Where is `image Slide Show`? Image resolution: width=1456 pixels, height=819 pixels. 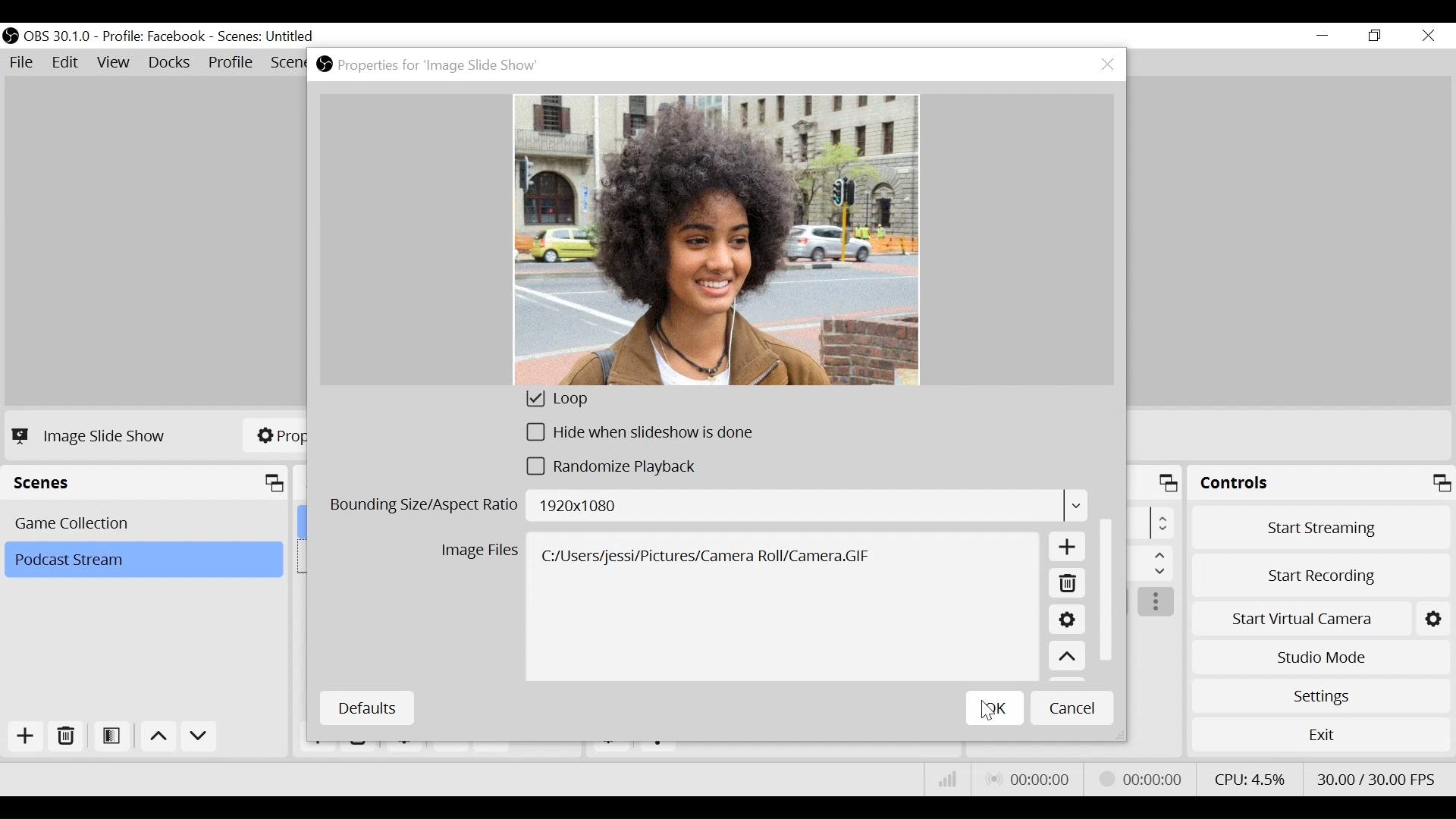
image Slide Show is located at coordinates (93, 435).